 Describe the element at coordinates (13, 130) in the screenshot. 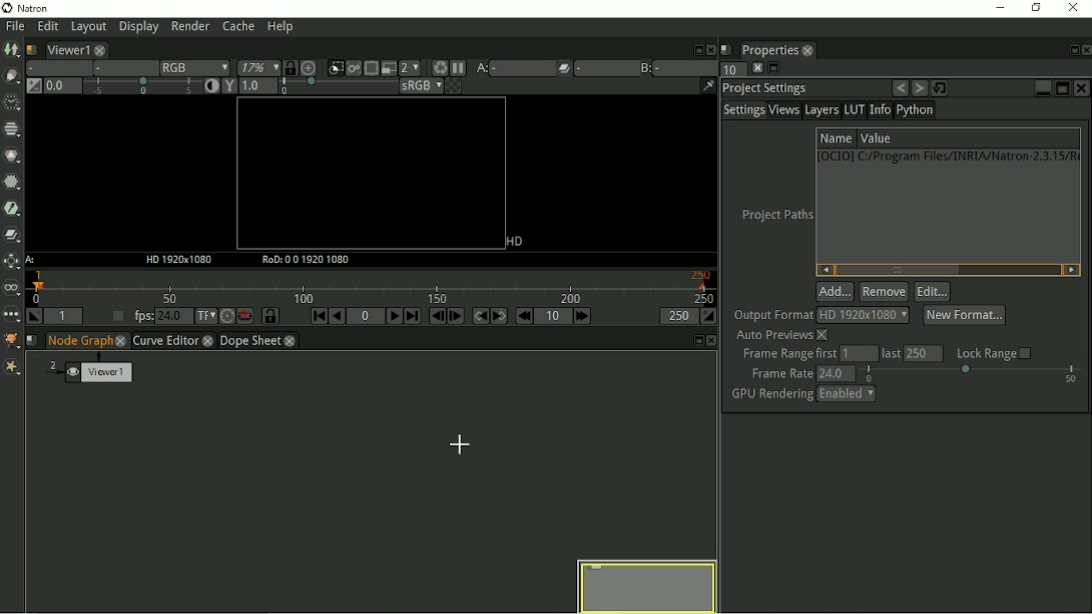

I see `Channel` at that location.